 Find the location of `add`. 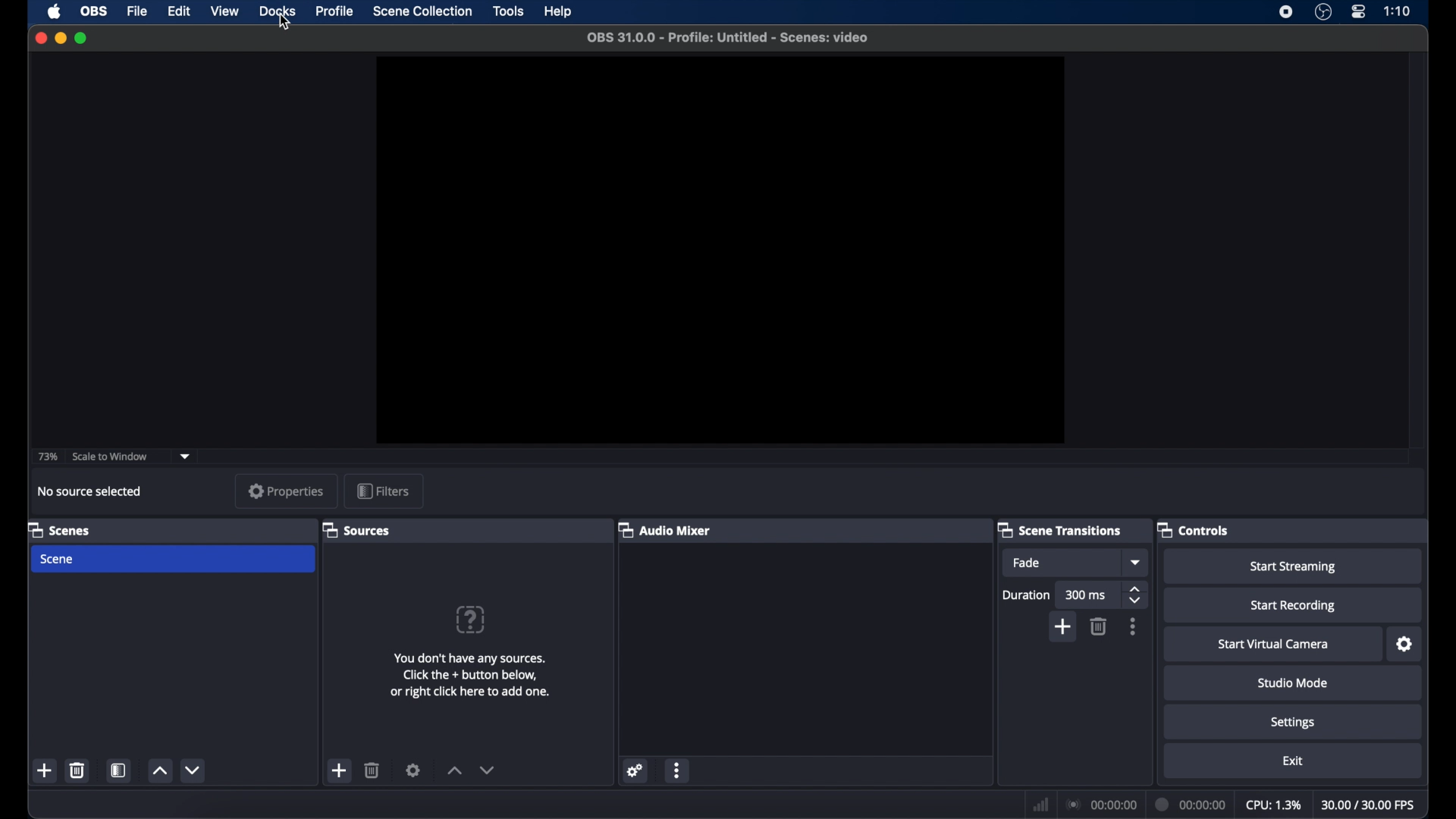

add is located at coordinates (1065, 627).